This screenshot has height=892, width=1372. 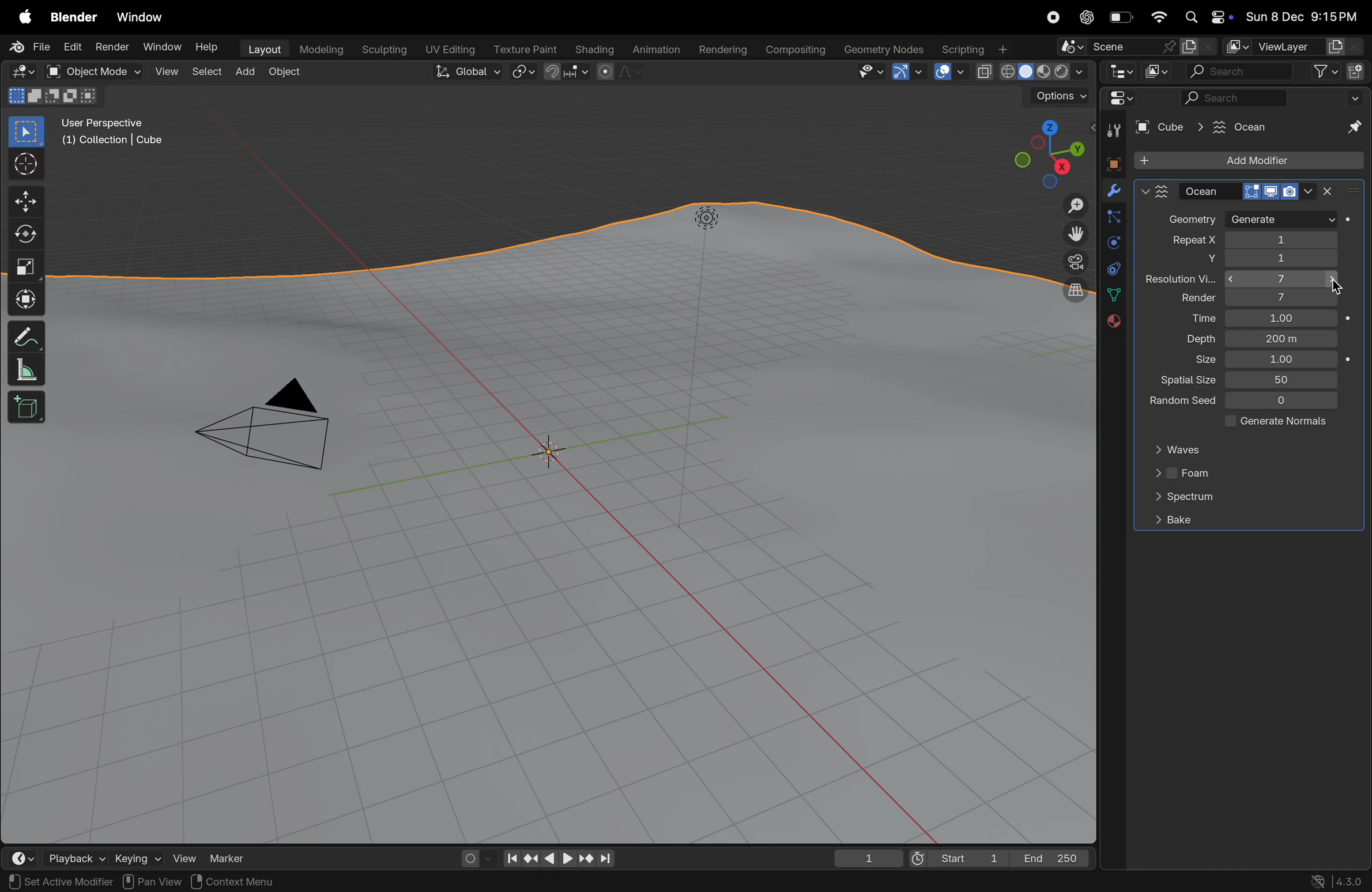 What do you see at coordinates (1113, 294) in the screenshot?
I see `data` at bounding box center [1113, 294].